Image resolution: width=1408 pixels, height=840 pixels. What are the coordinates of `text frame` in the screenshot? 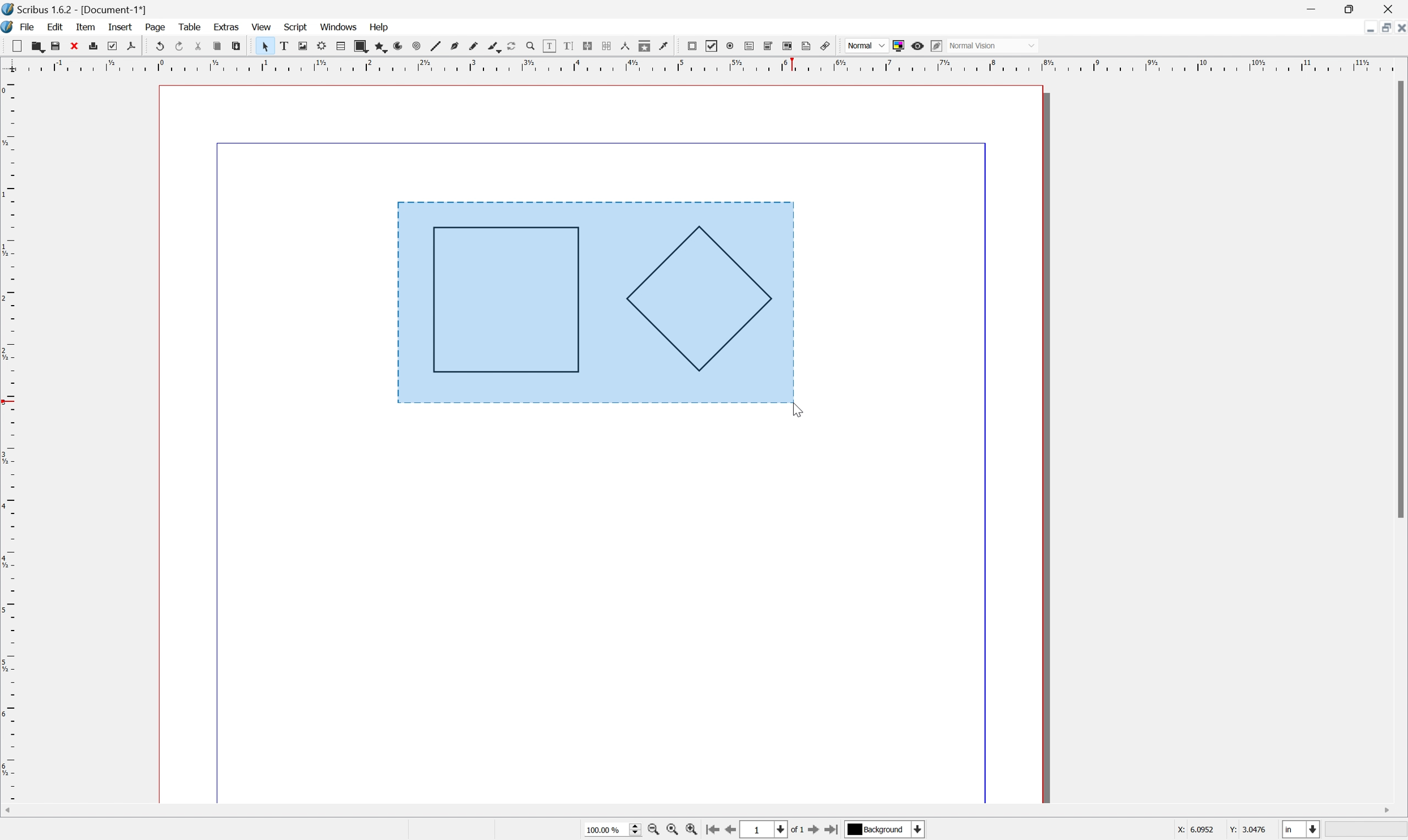 It's located at (281, 46).